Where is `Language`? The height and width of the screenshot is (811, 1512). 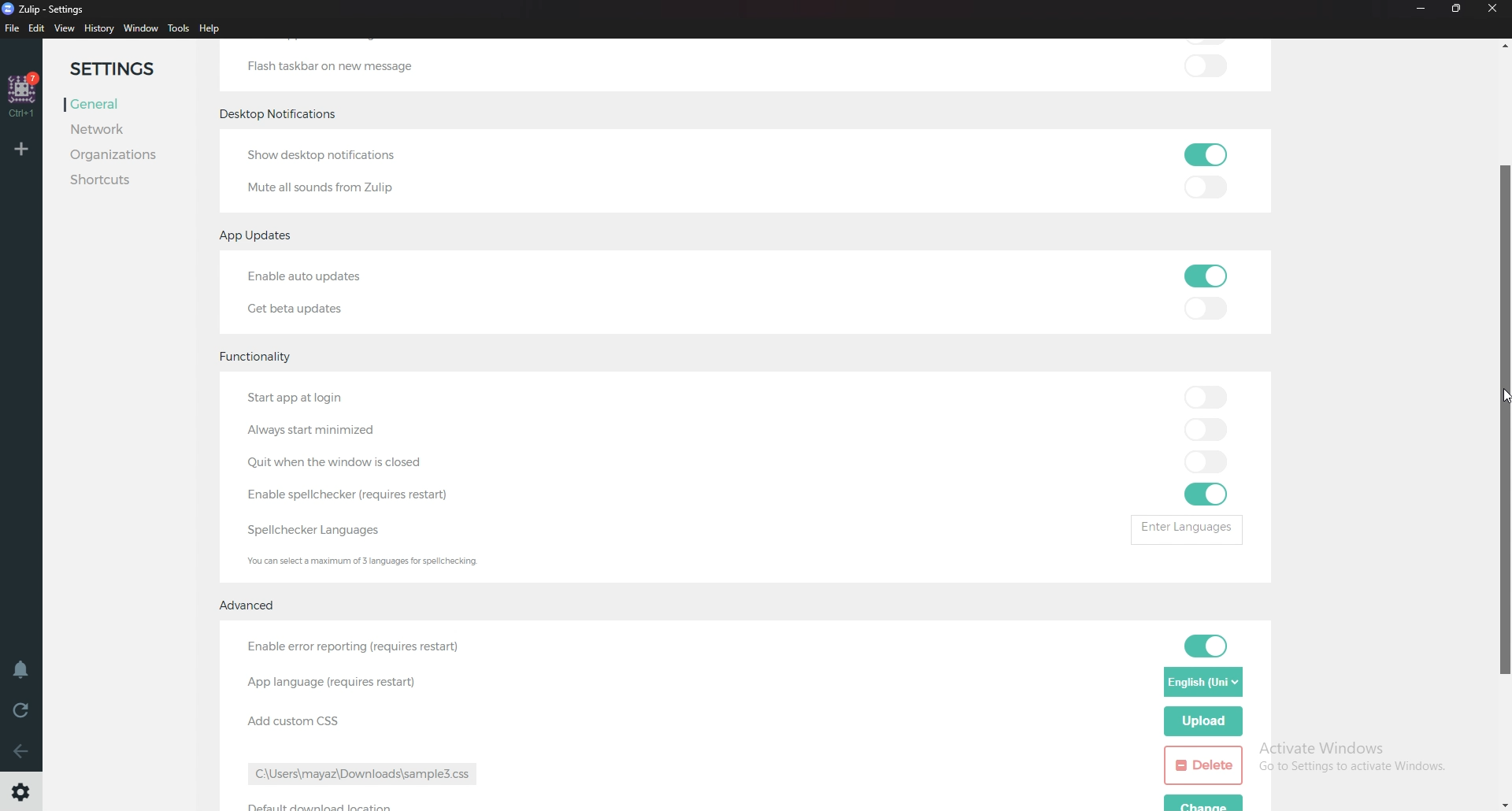
Language is located at coordinates (1203, 683).